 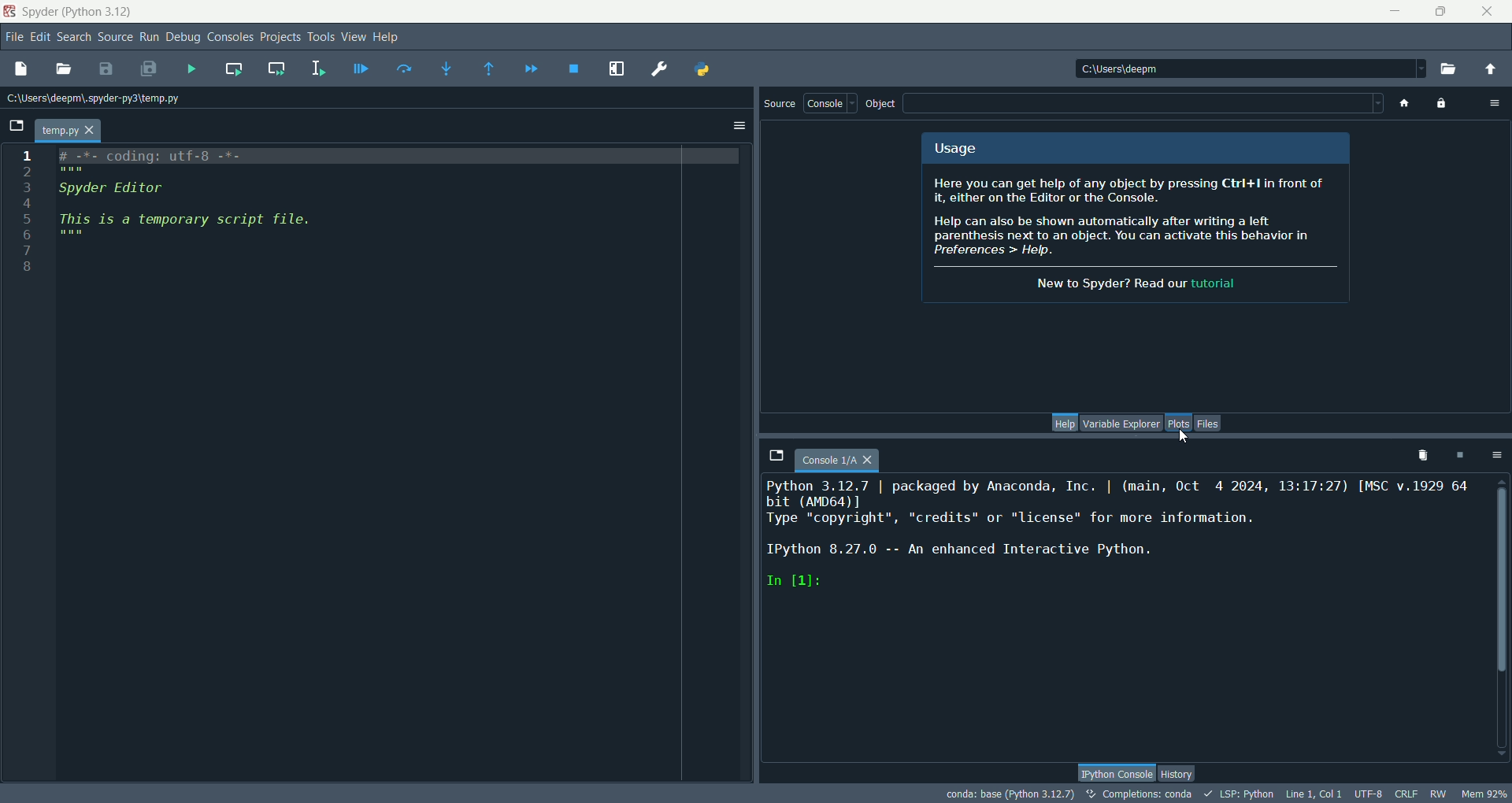 I want to click on step into function, so click(x=446, y=68).